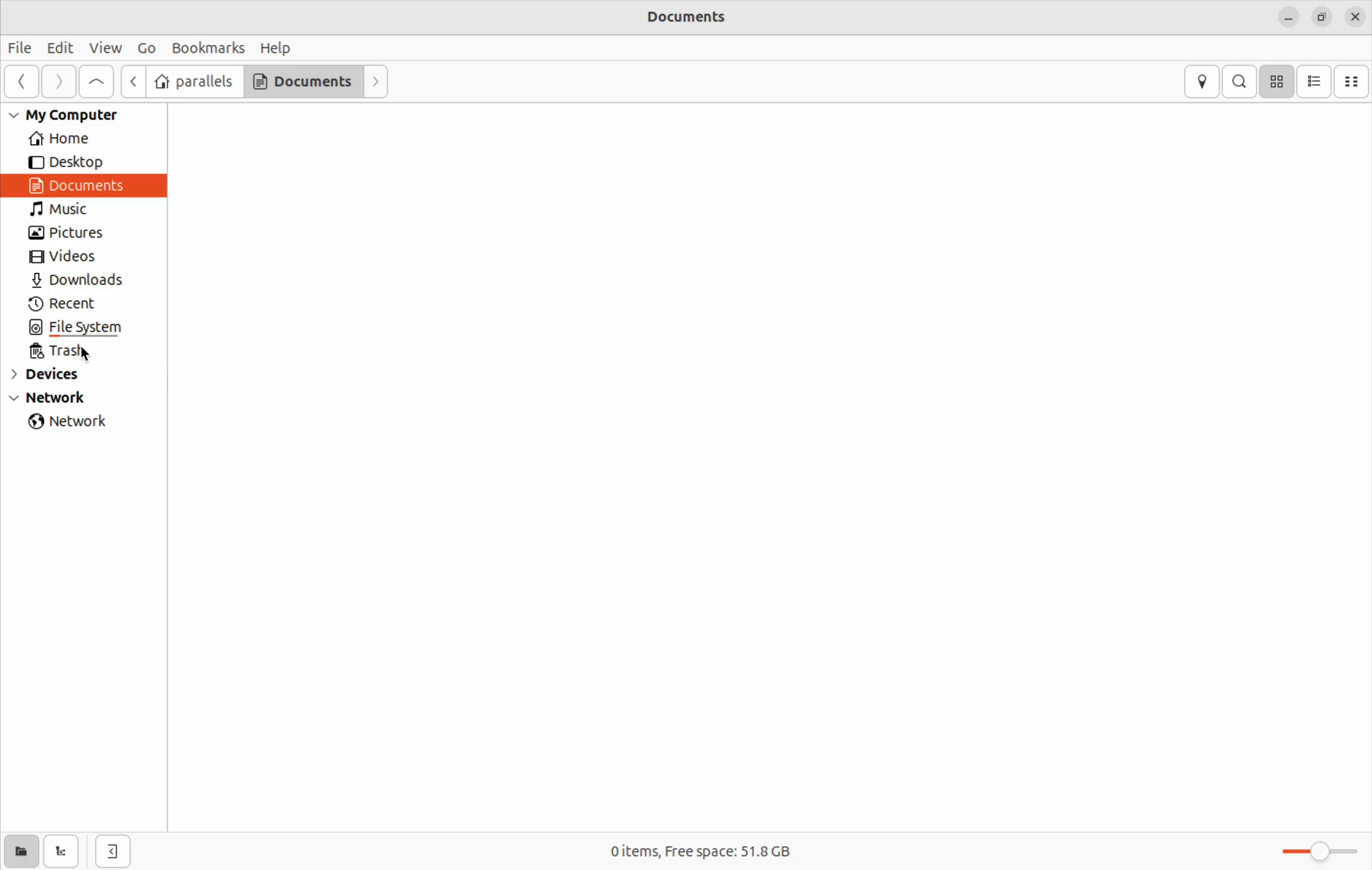  Describe the element at coordinates (76, 161) in the screenshot. I see `Desktop` at that location.